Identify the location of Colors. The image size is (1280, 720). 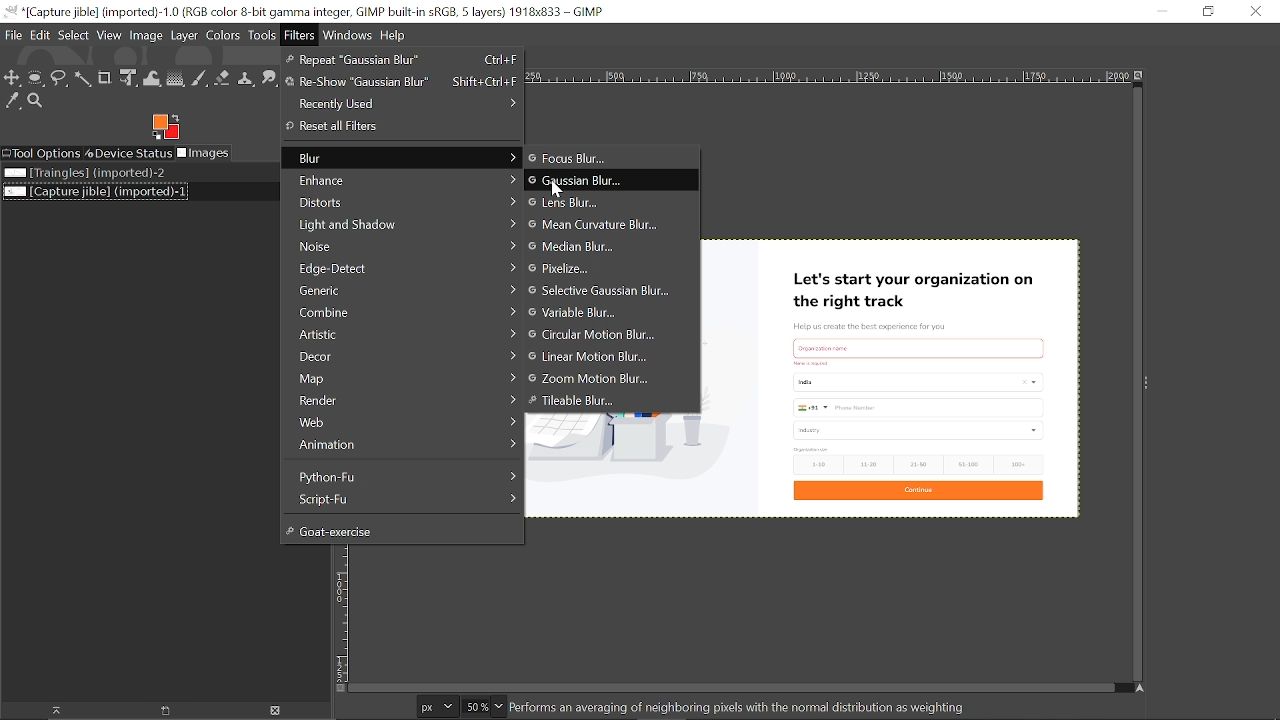
(225, 37).